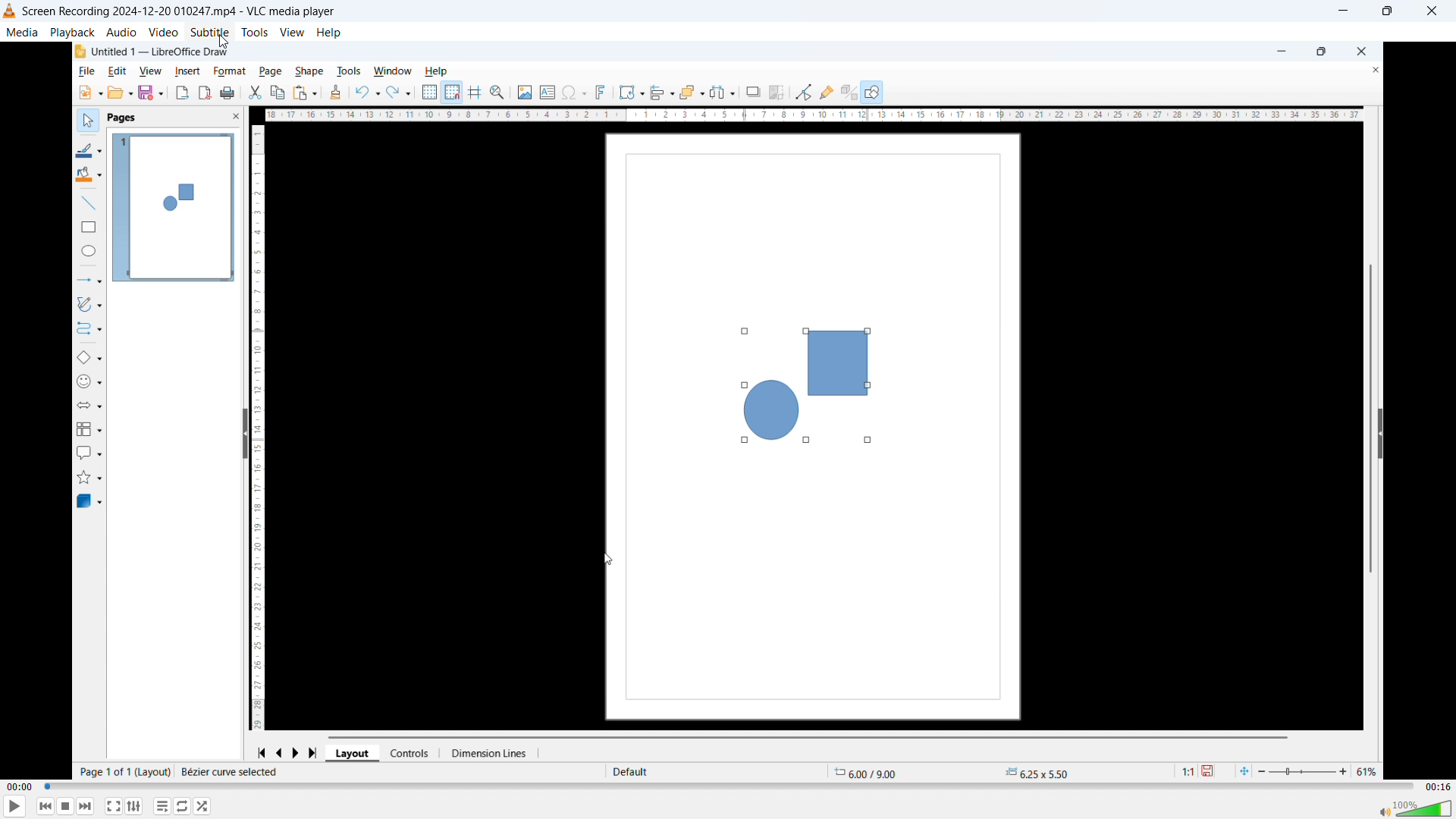 Image resolution: width=1456 pixels, height=819 pixels. What do you see at coordinates (261, 751) in the screenshot?
I see `first page` at bounding box center [261, 751].